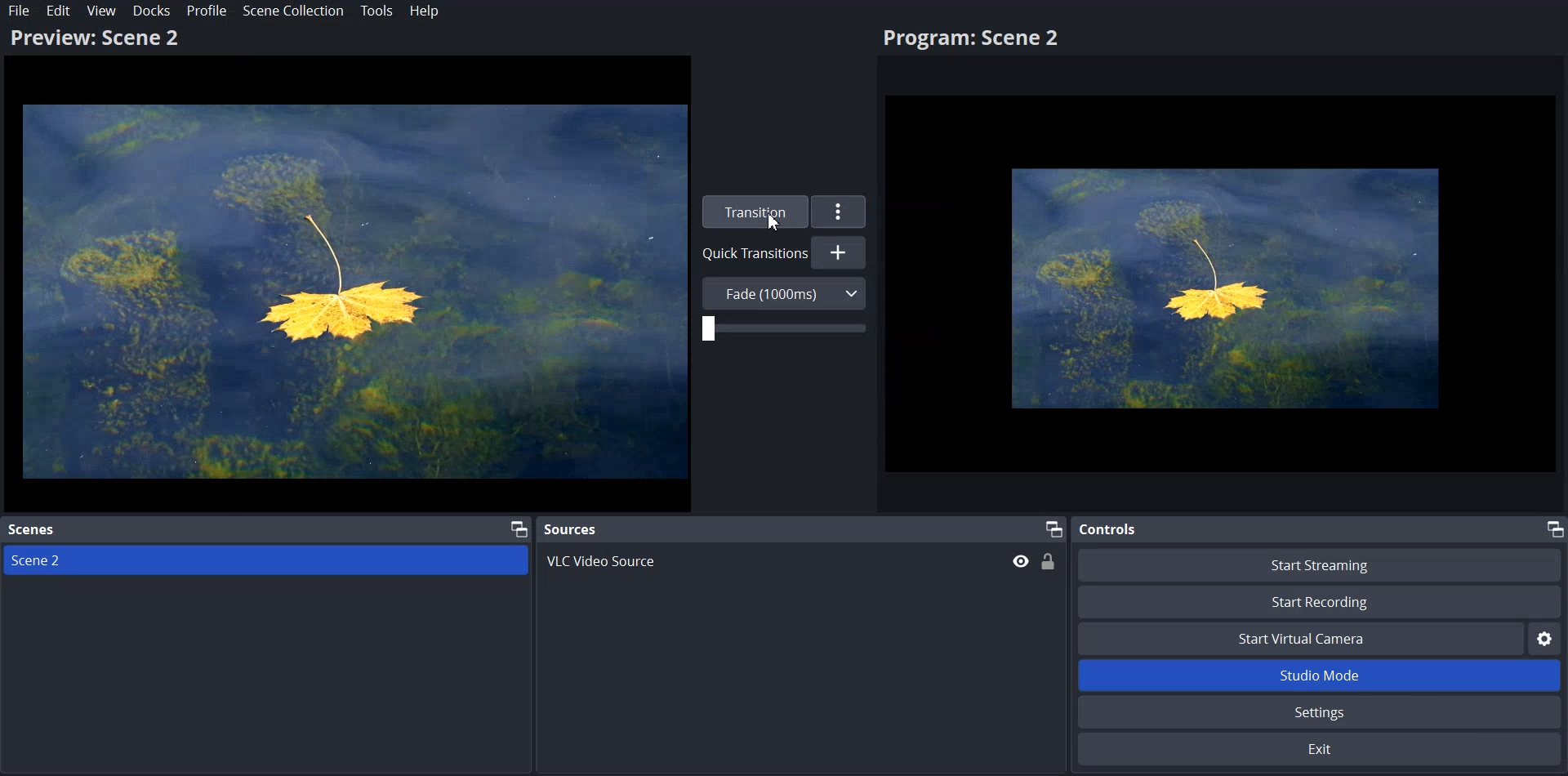 This screenshot has height=776, width=1568. I want to click on Settings, so click(1548, 638).